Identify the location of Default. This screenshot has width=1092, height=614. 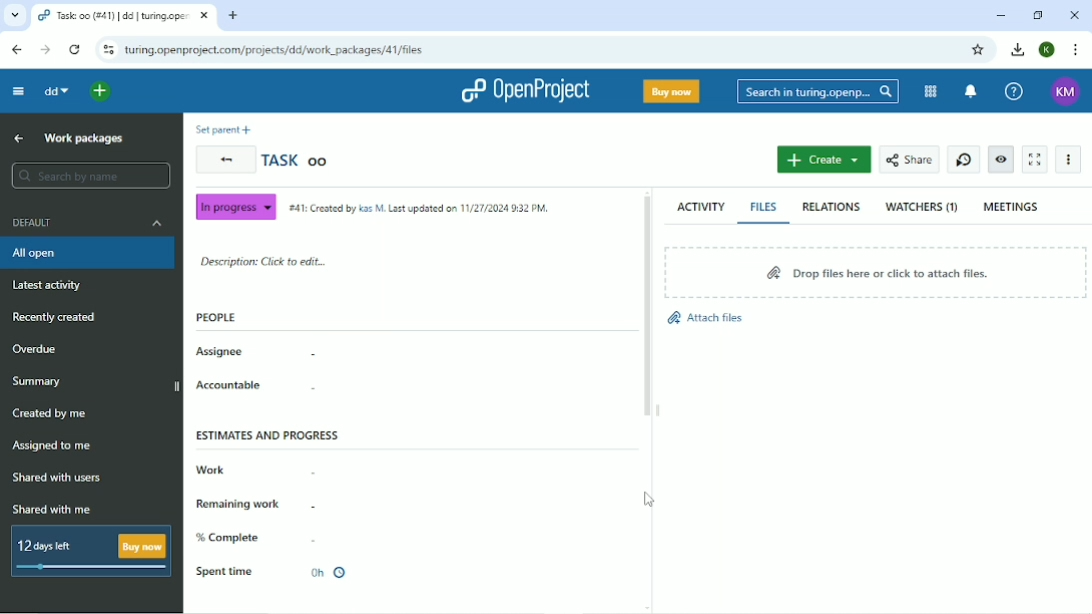
(87, 223).